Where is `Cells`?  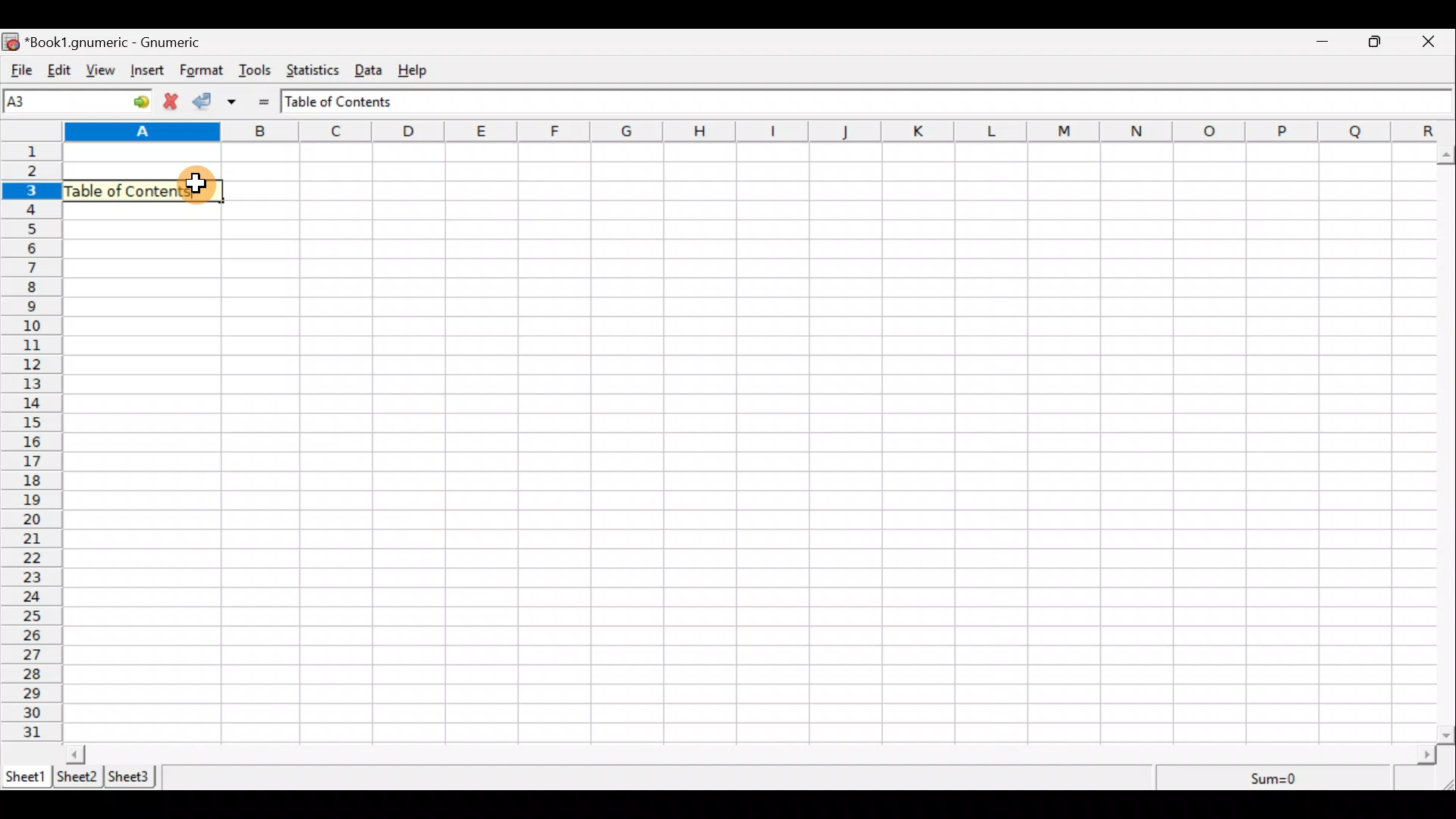 Cells is located at coordinates (749, 443).